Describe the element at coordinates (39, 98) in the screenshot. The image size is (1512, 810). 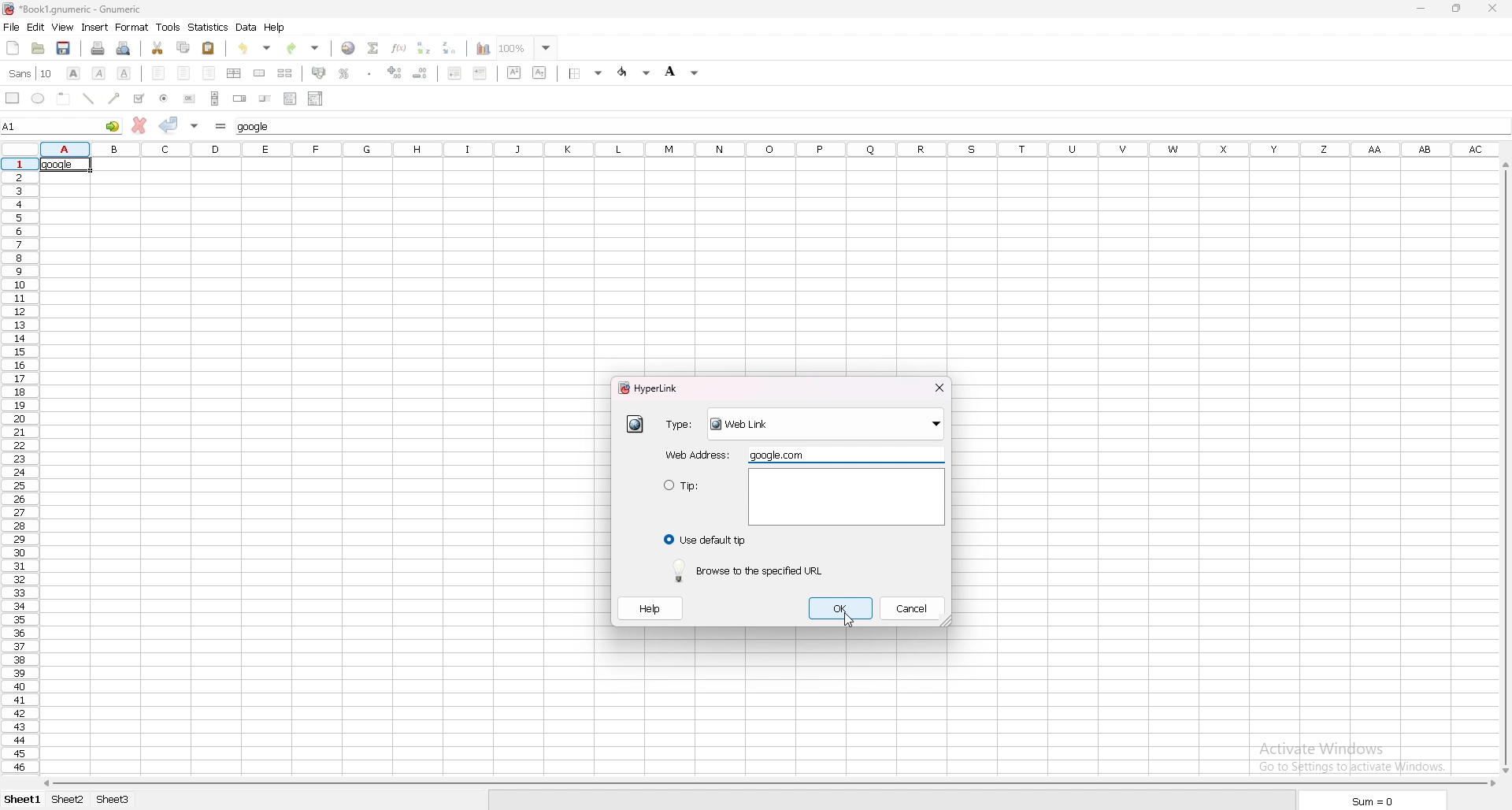
I see `ellipse` at that location.